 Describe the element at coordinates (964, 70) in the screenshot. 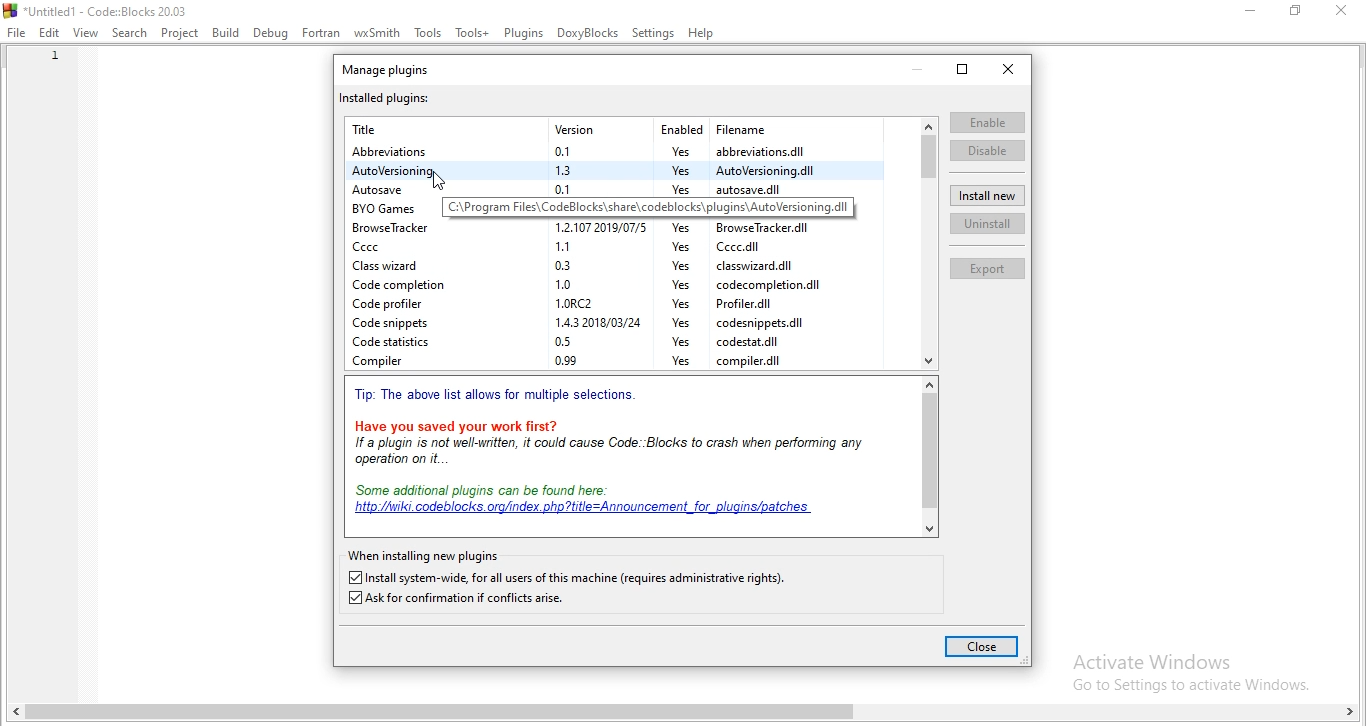

I see `restore` at that location.